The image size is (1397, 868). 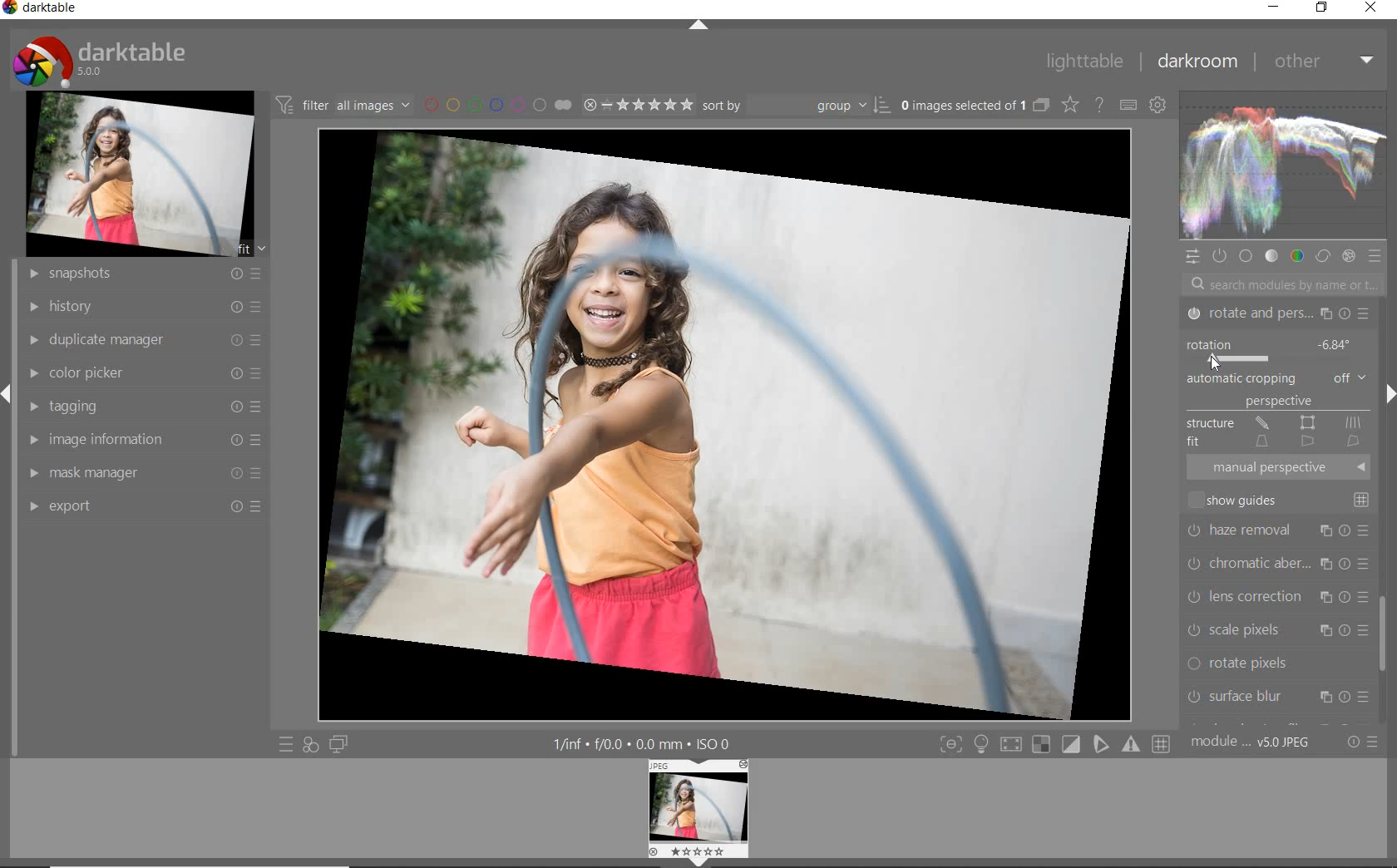 What do you see at coordinates (1277, 286) in the screenshot?
I see `search modules` at bounding box center [1277, 286].